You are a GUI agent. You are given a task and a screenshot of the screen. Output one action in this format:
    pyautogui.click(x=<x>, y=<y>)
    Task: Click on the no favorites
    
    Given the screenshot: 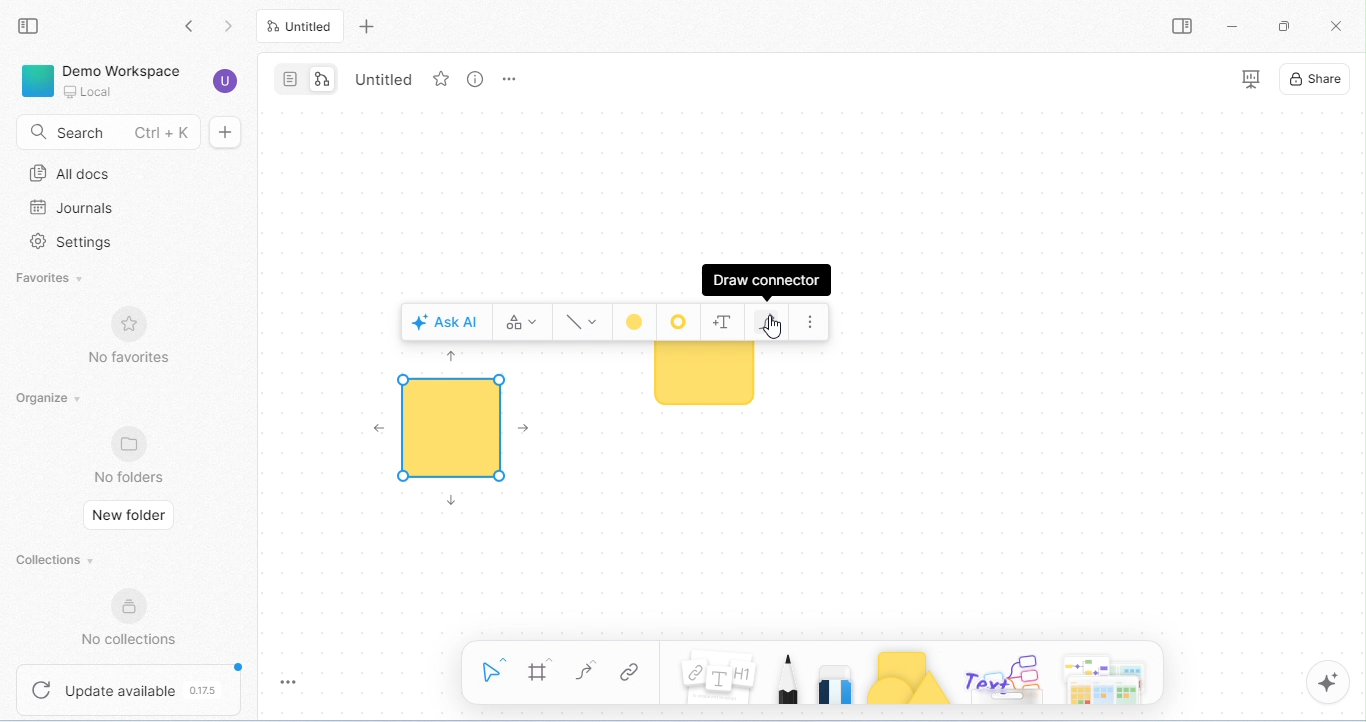 What is the action you would take?
    pyautogui.click(x=128, y=338)
    